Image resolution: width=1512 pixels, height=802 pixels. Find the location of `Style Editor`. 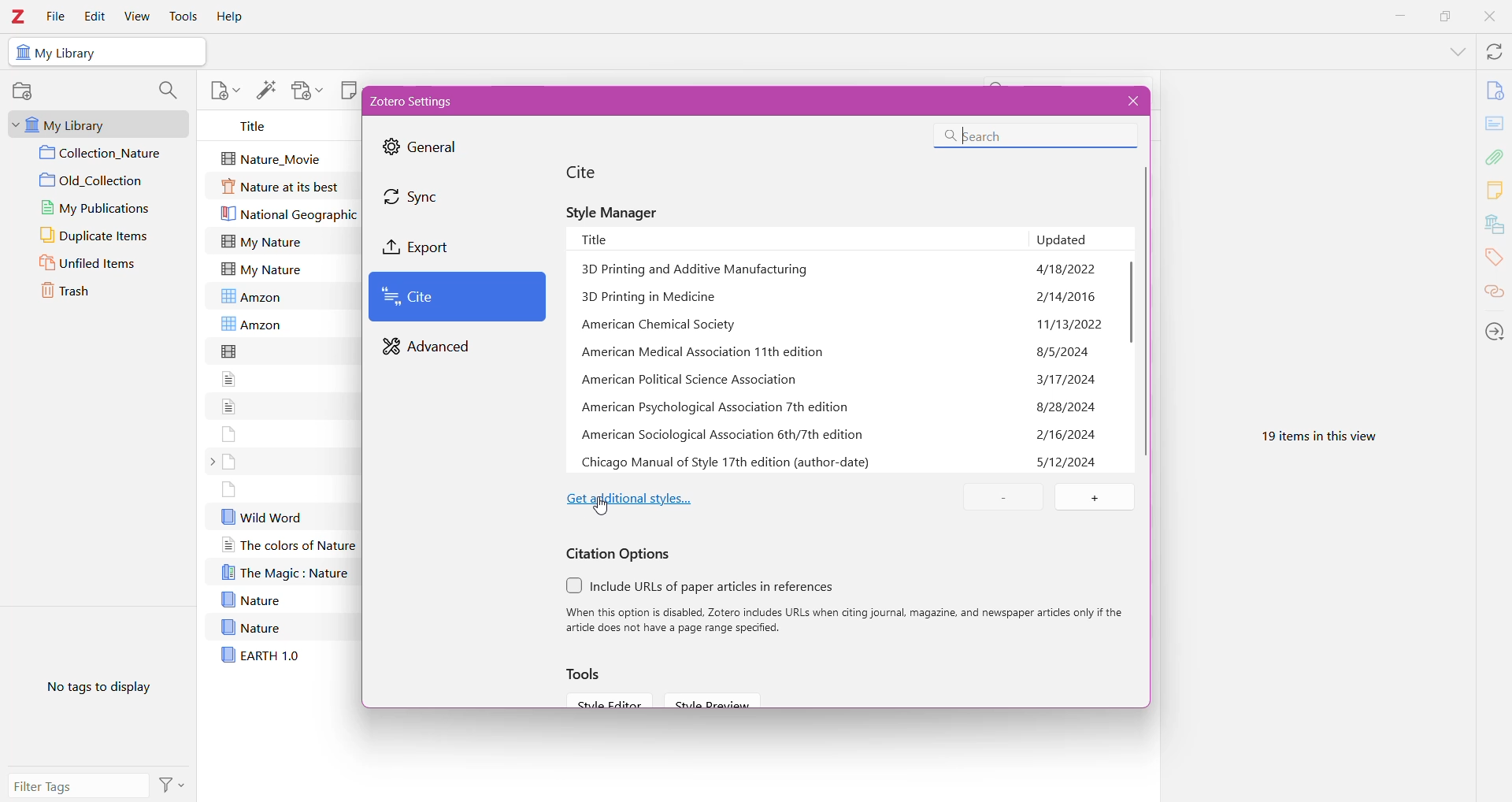

Style Editor is located at coordinates (607, 700).